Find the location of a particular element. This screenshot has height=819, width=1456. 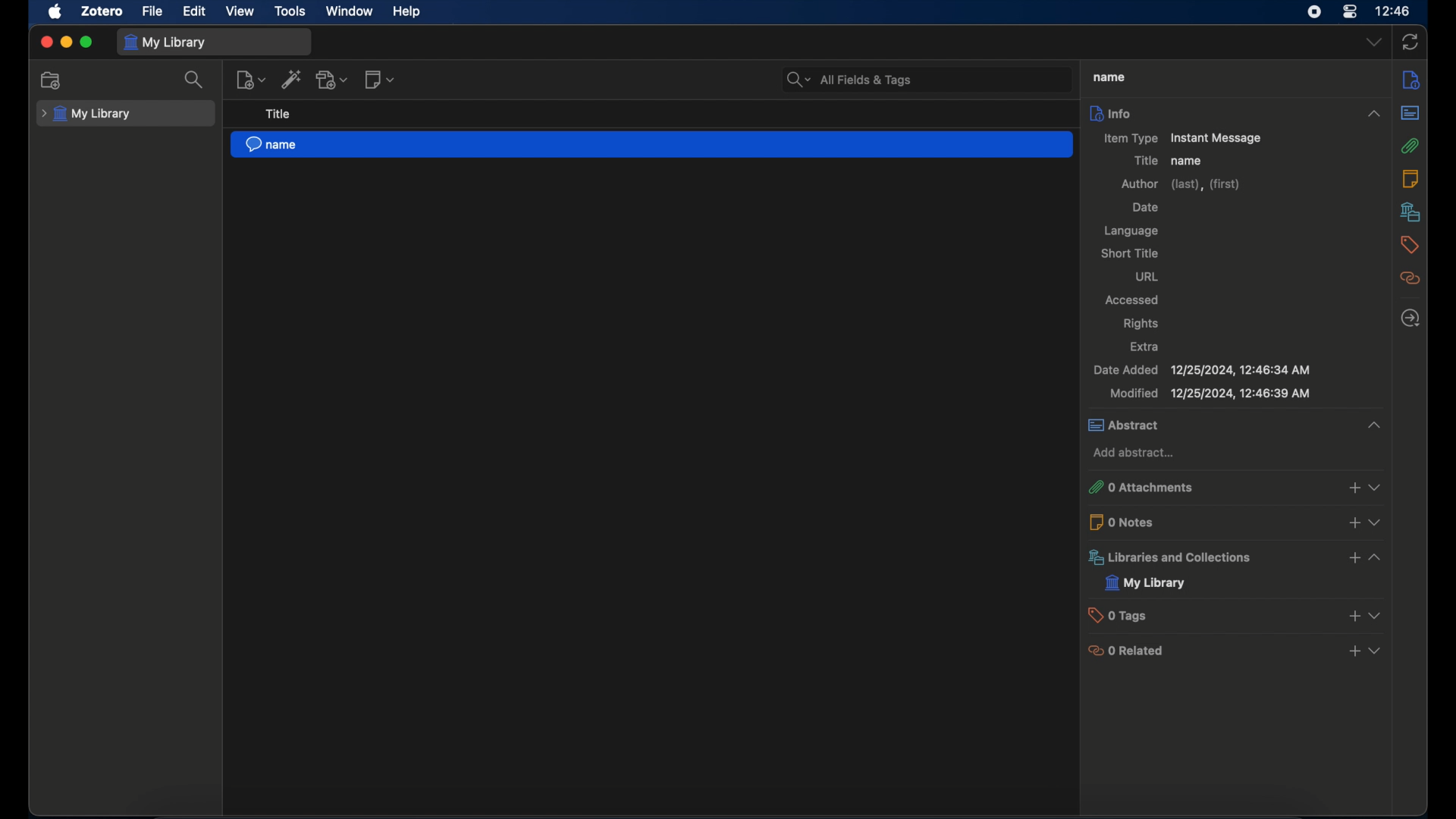

new collection is located at coordinates (52, 80).